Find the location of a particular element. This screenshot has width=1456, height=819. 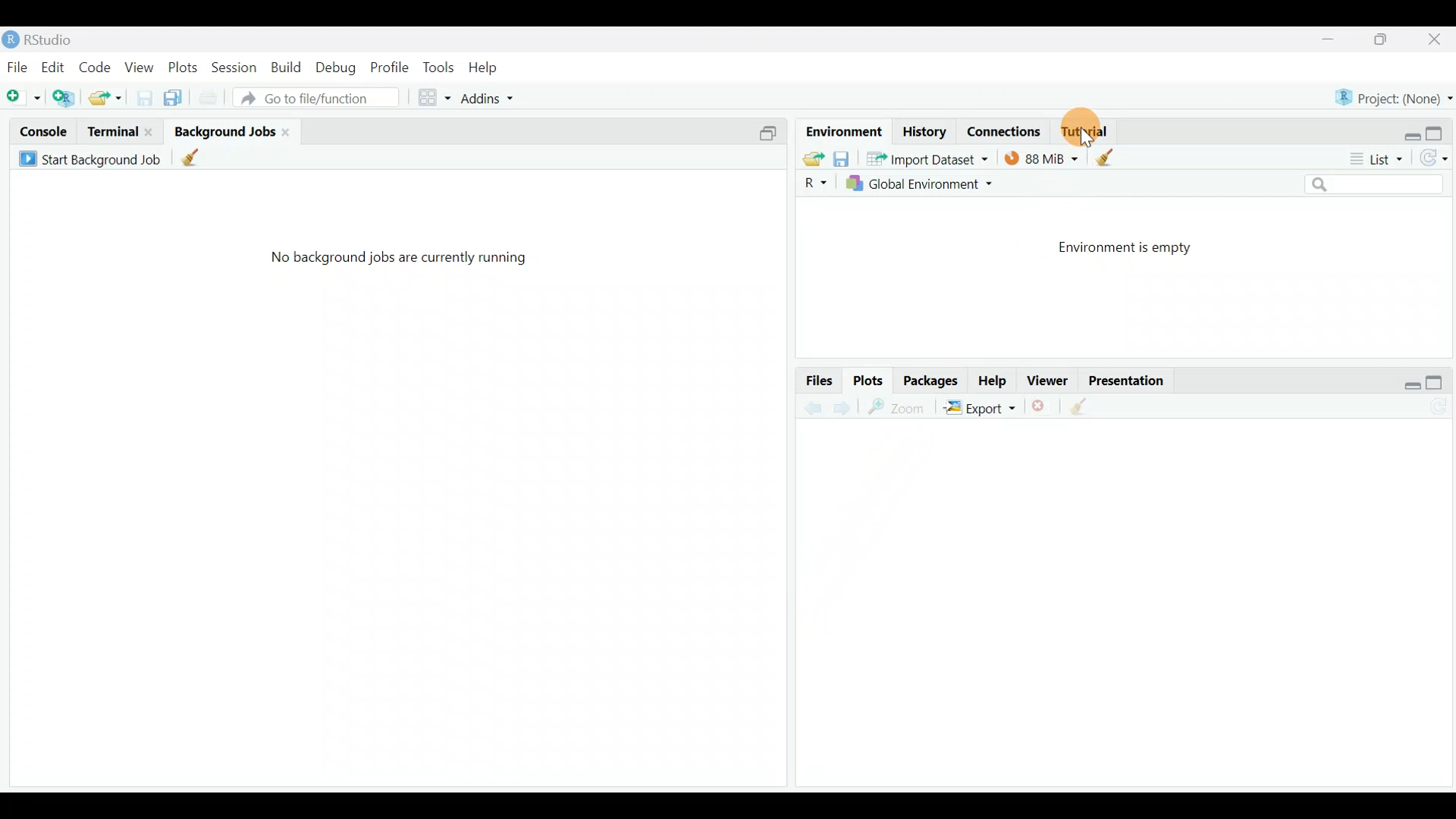

Split is located at coordinates (772, 132).